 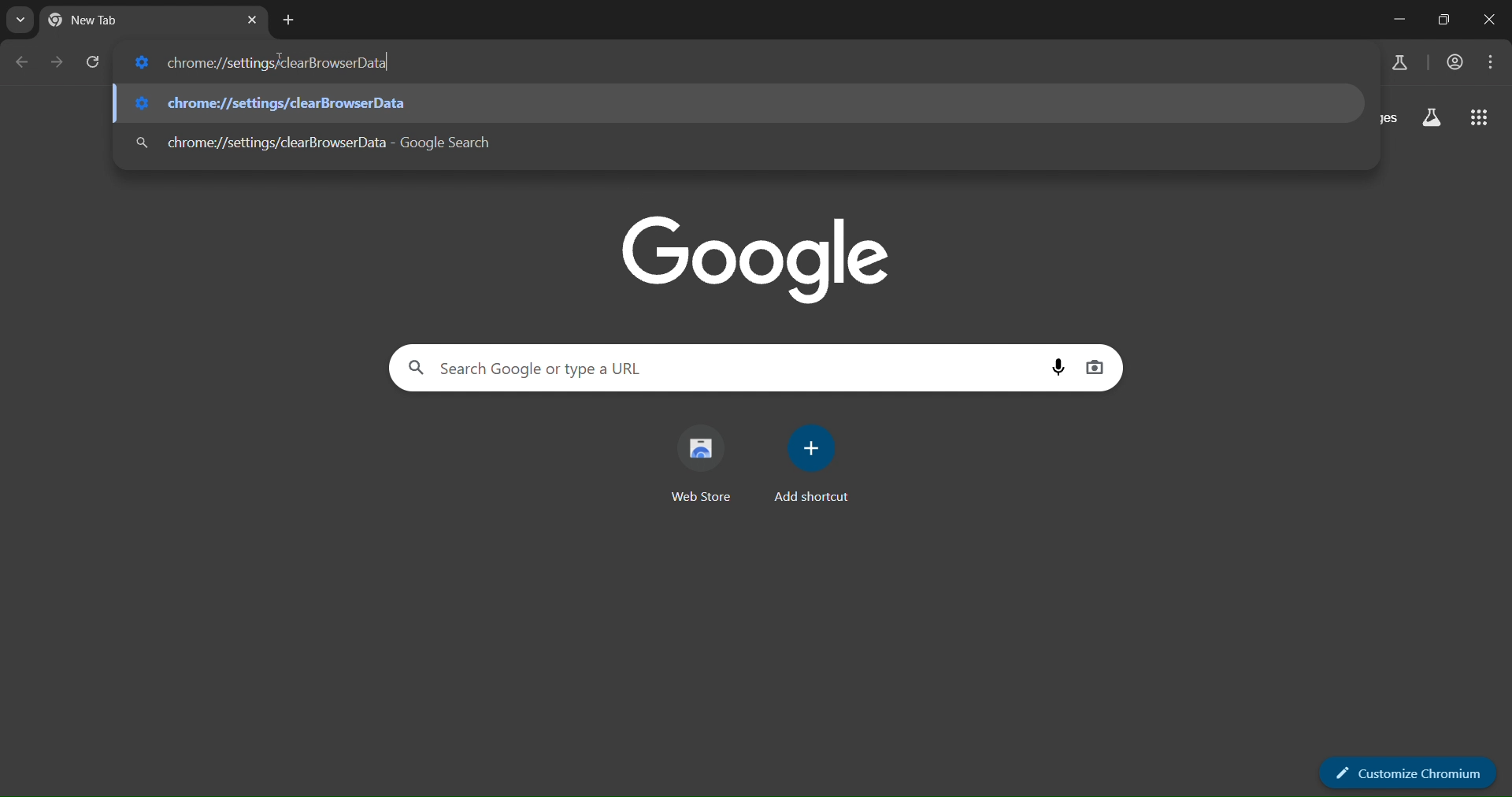 I want to click on add shortcut, so click(x=812, y=465).